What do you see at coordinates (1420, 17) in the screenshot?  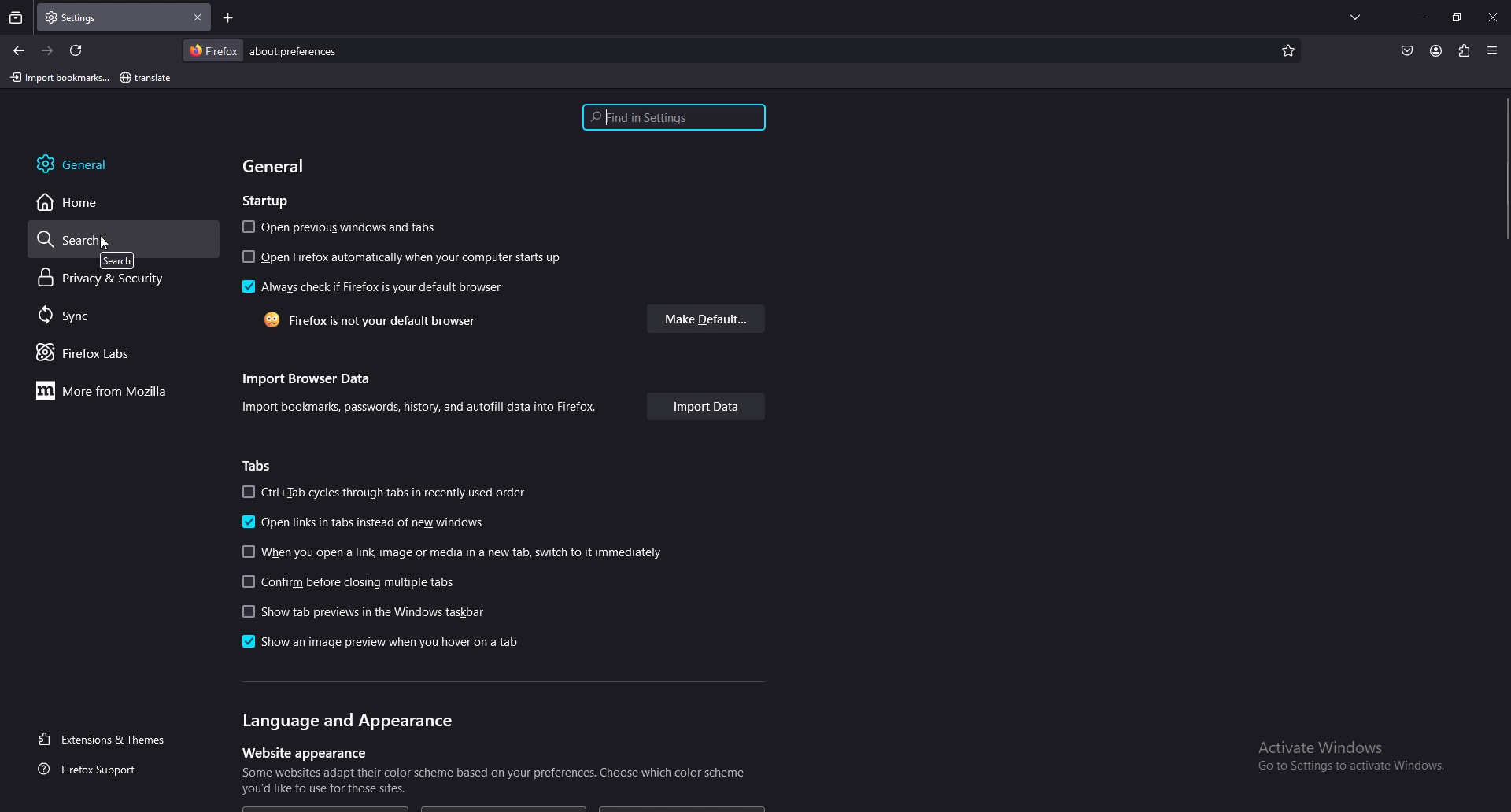 I see `minimize` at bounding box center [1420, 17].